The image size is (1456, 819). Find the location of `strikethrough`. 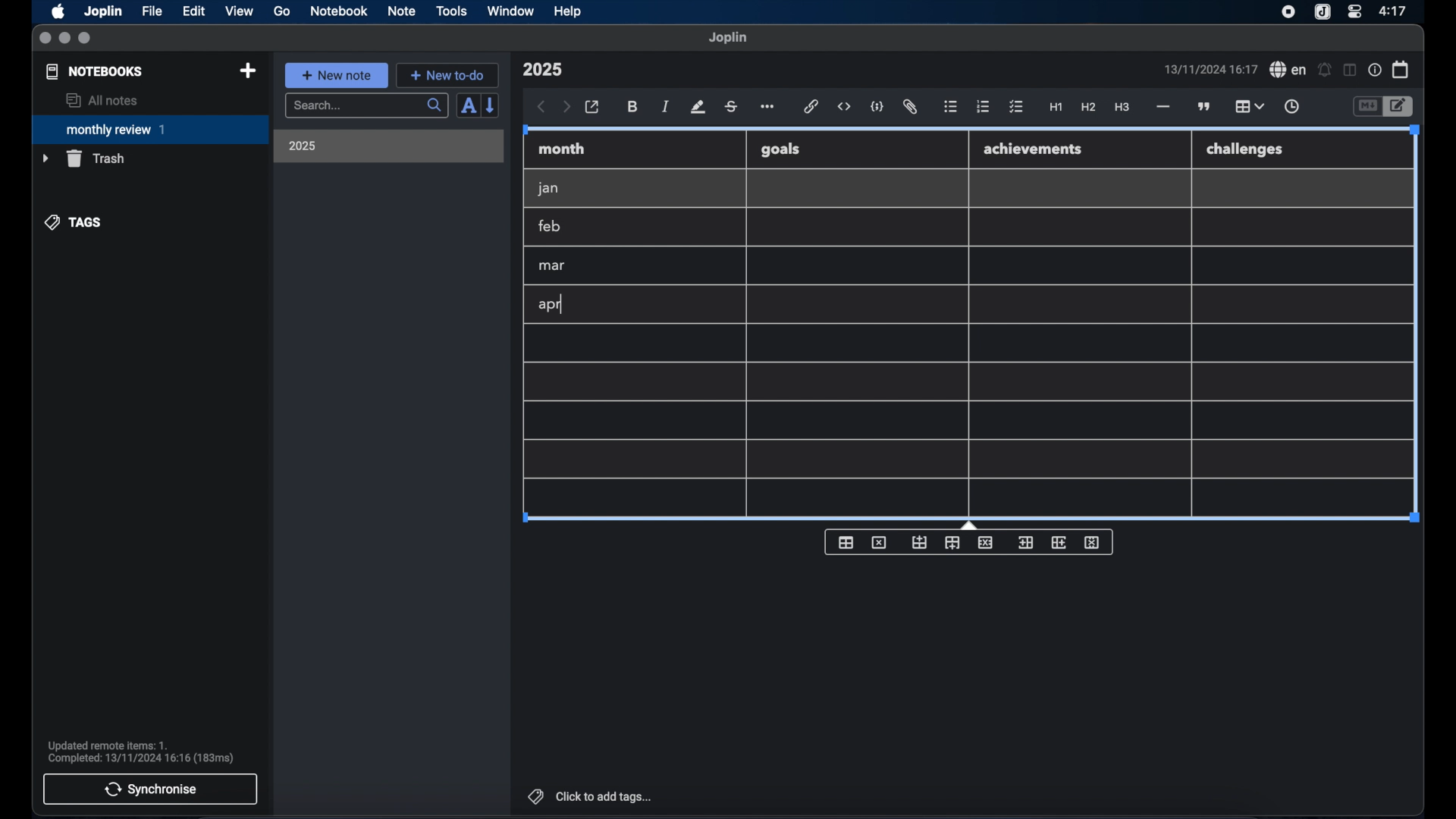

strikethrough is located at coordinates (730, 107).